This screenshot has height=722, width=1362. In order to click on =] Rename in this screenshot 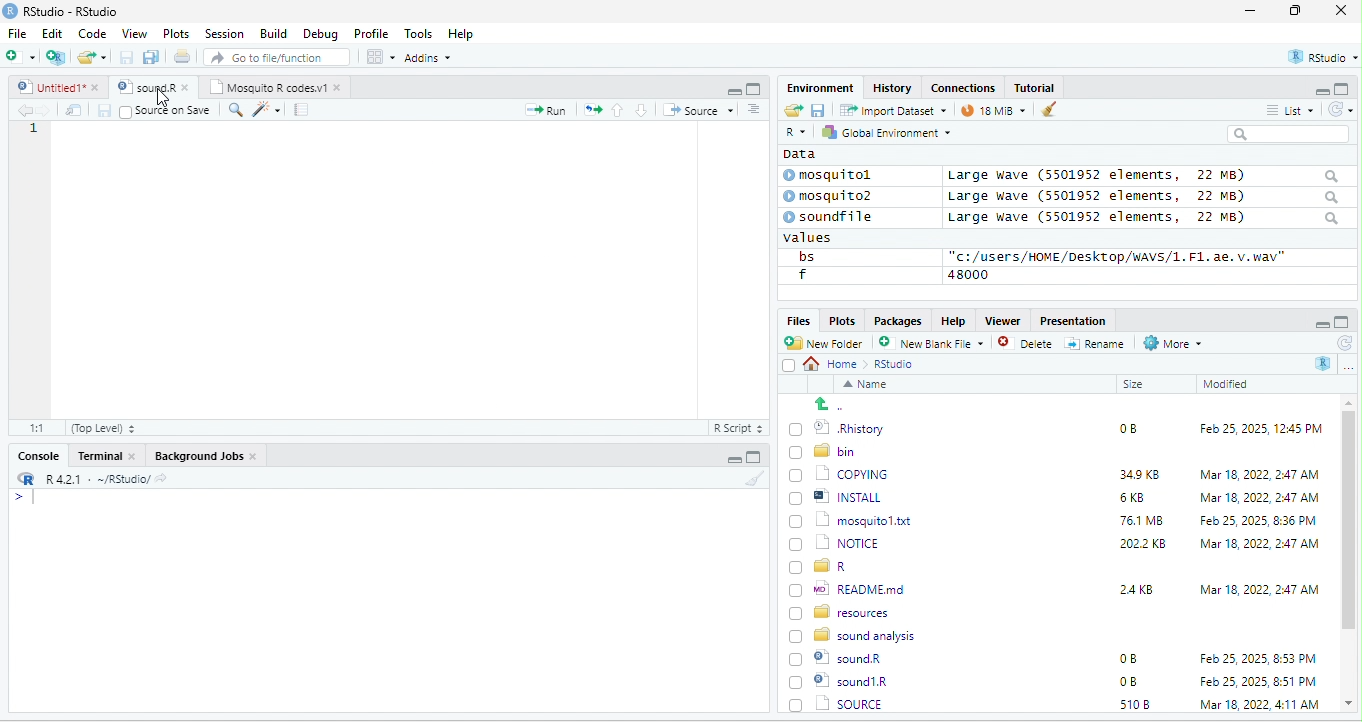, I will do `click(1096, 343)`.